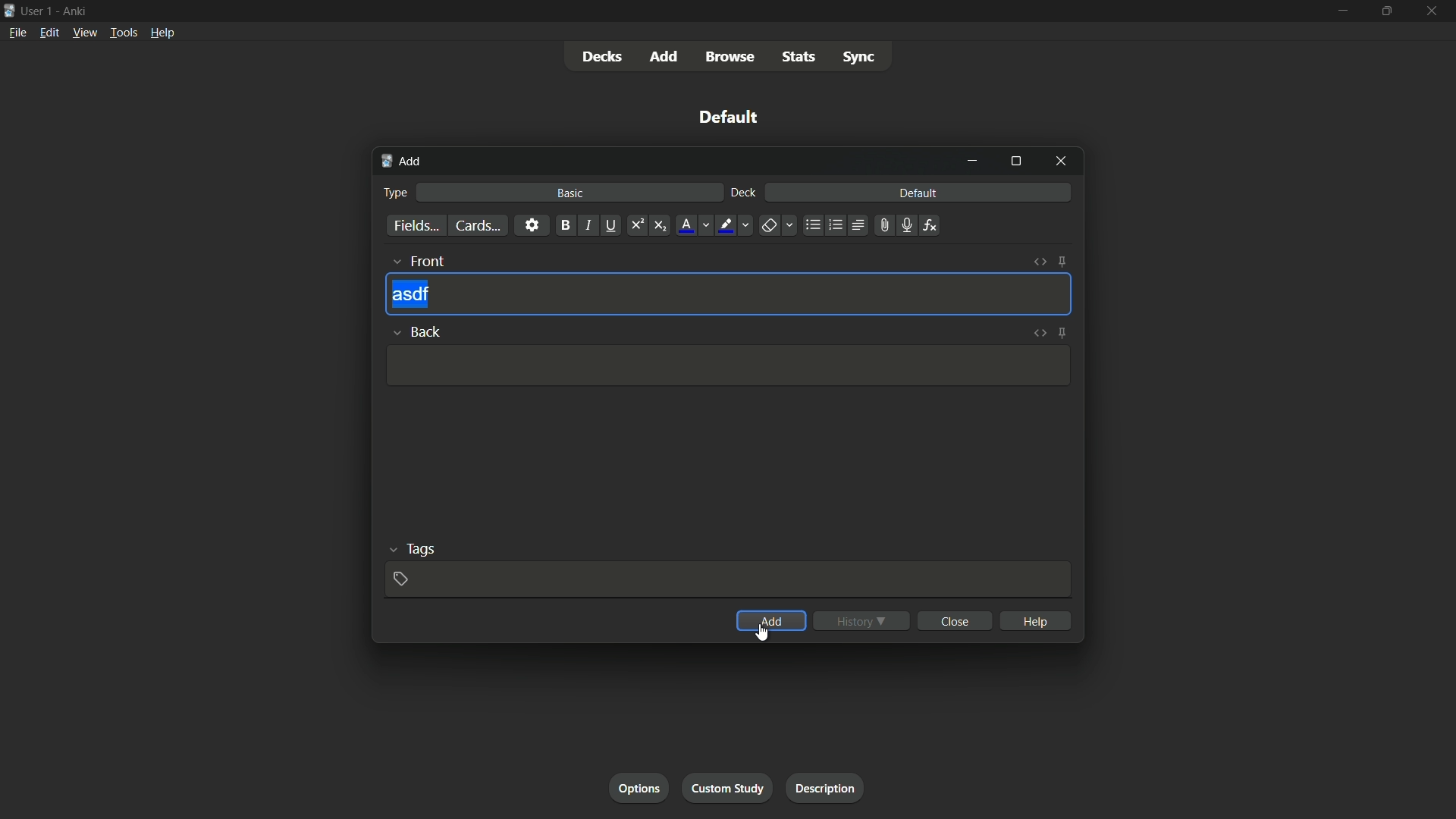 The width and height of the screenshot is (1456, 819). I want to click on browse, so click(730, 57).